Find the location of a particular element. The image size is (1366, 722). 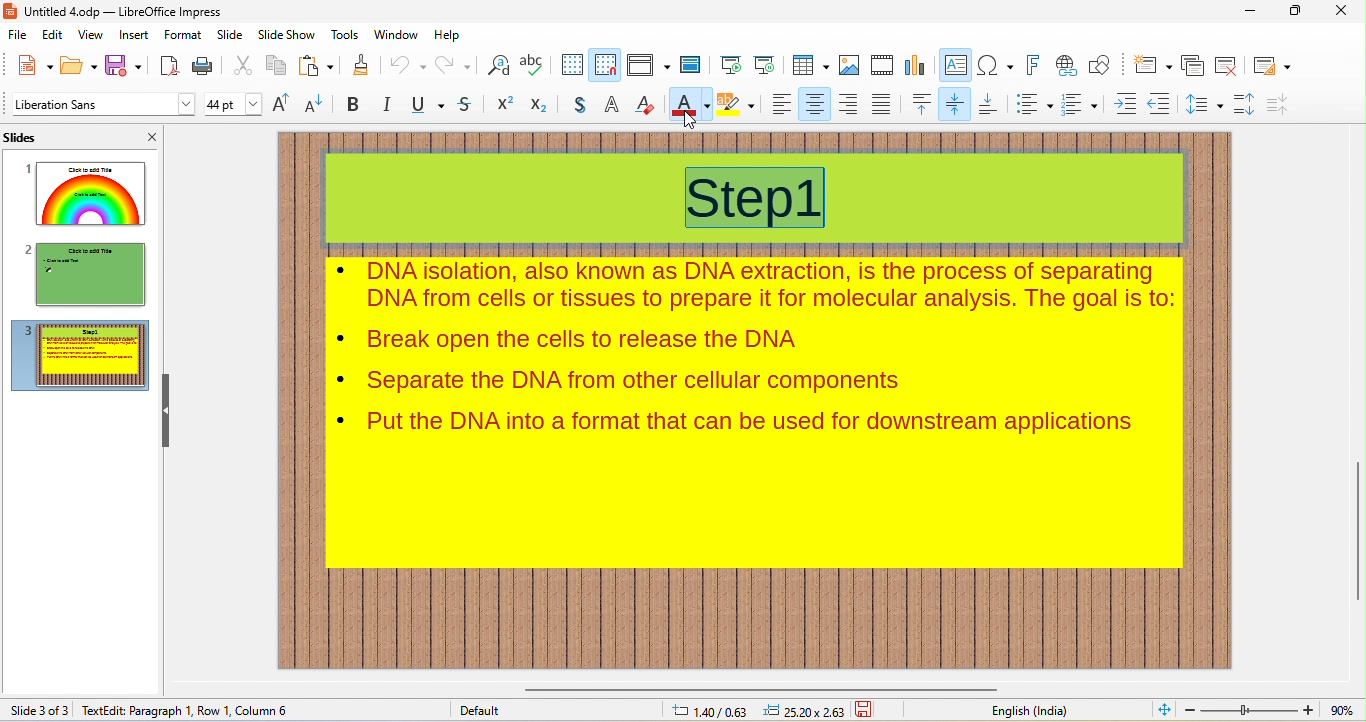

file is located at coordinates (19, 35).